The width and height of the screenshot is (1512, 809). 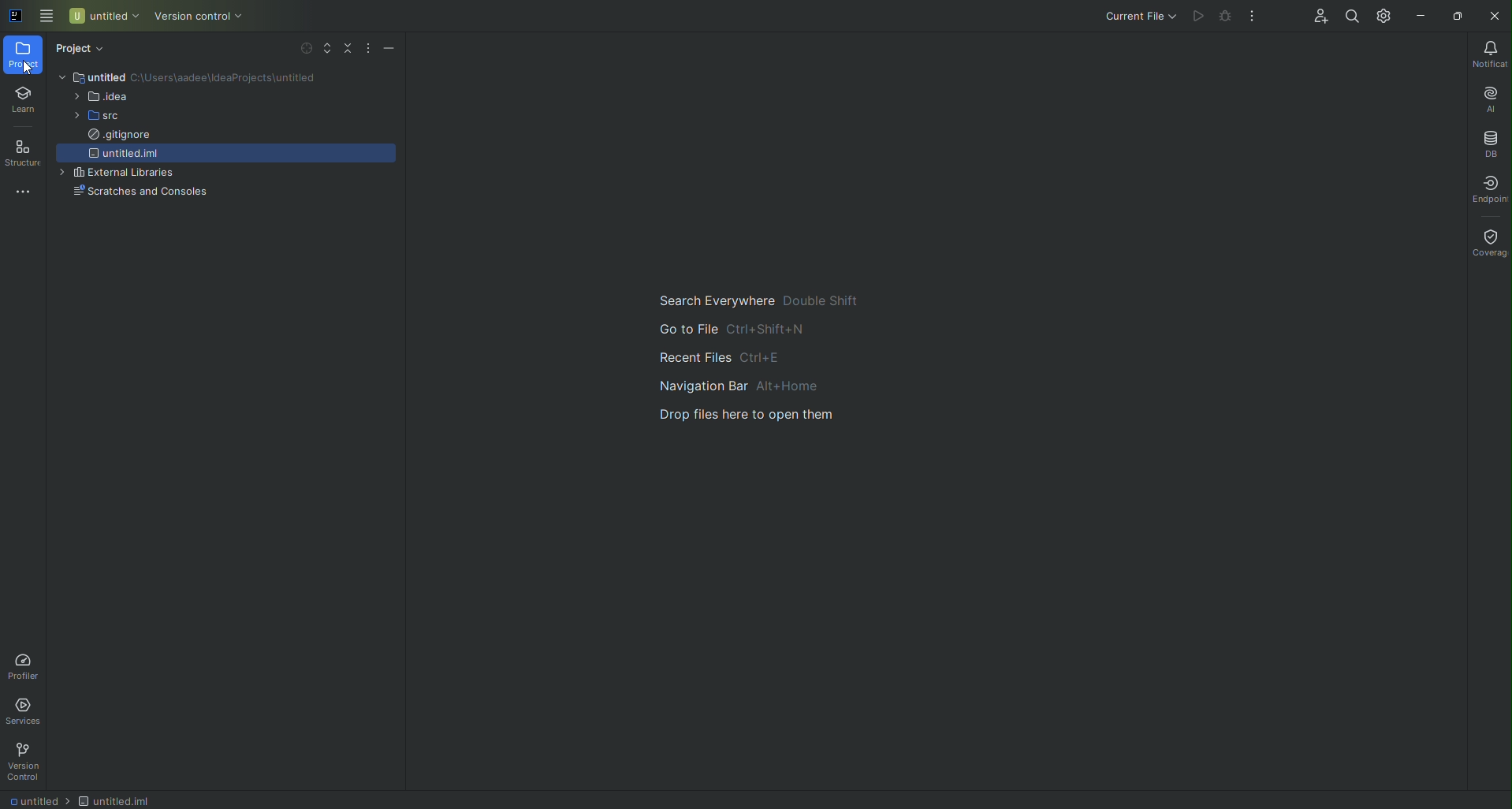 I want to click on Services, so click(x=26, y=712).